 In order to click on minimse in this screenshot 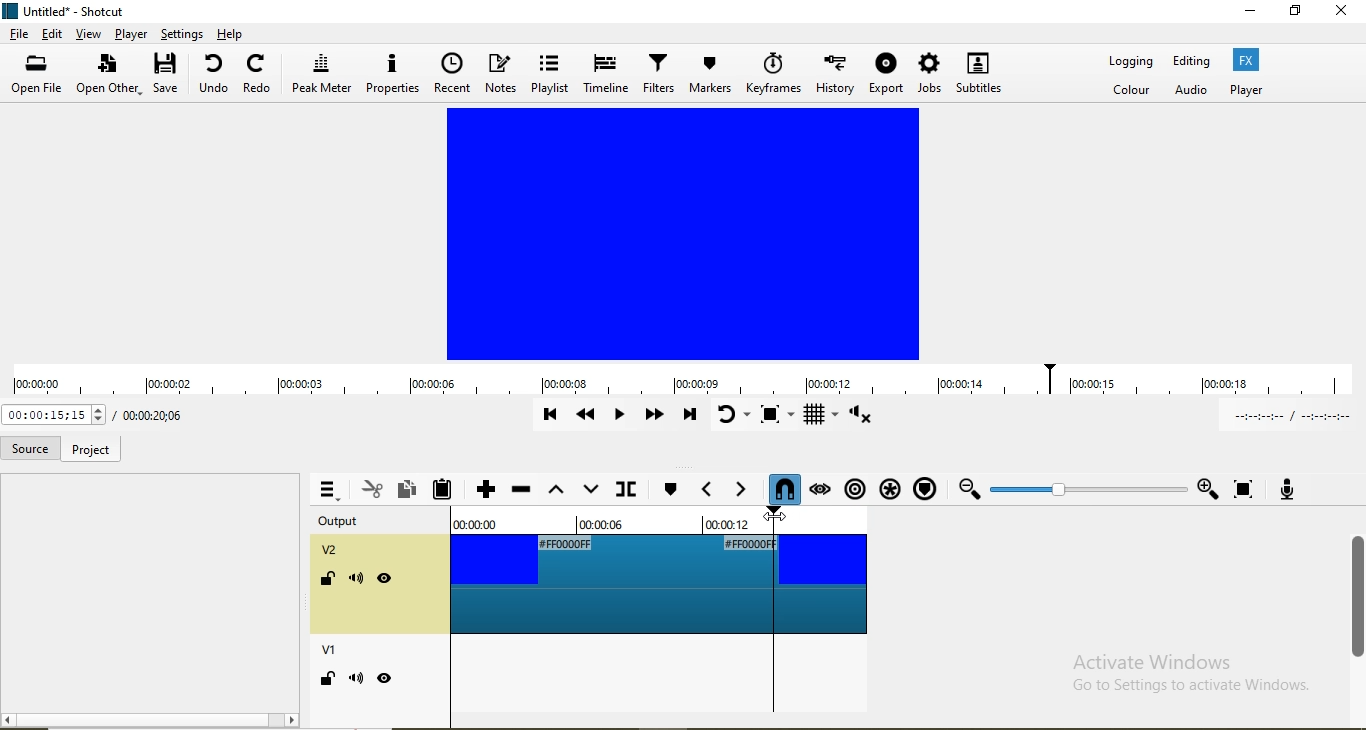, I will do `click(1250, 14)`.